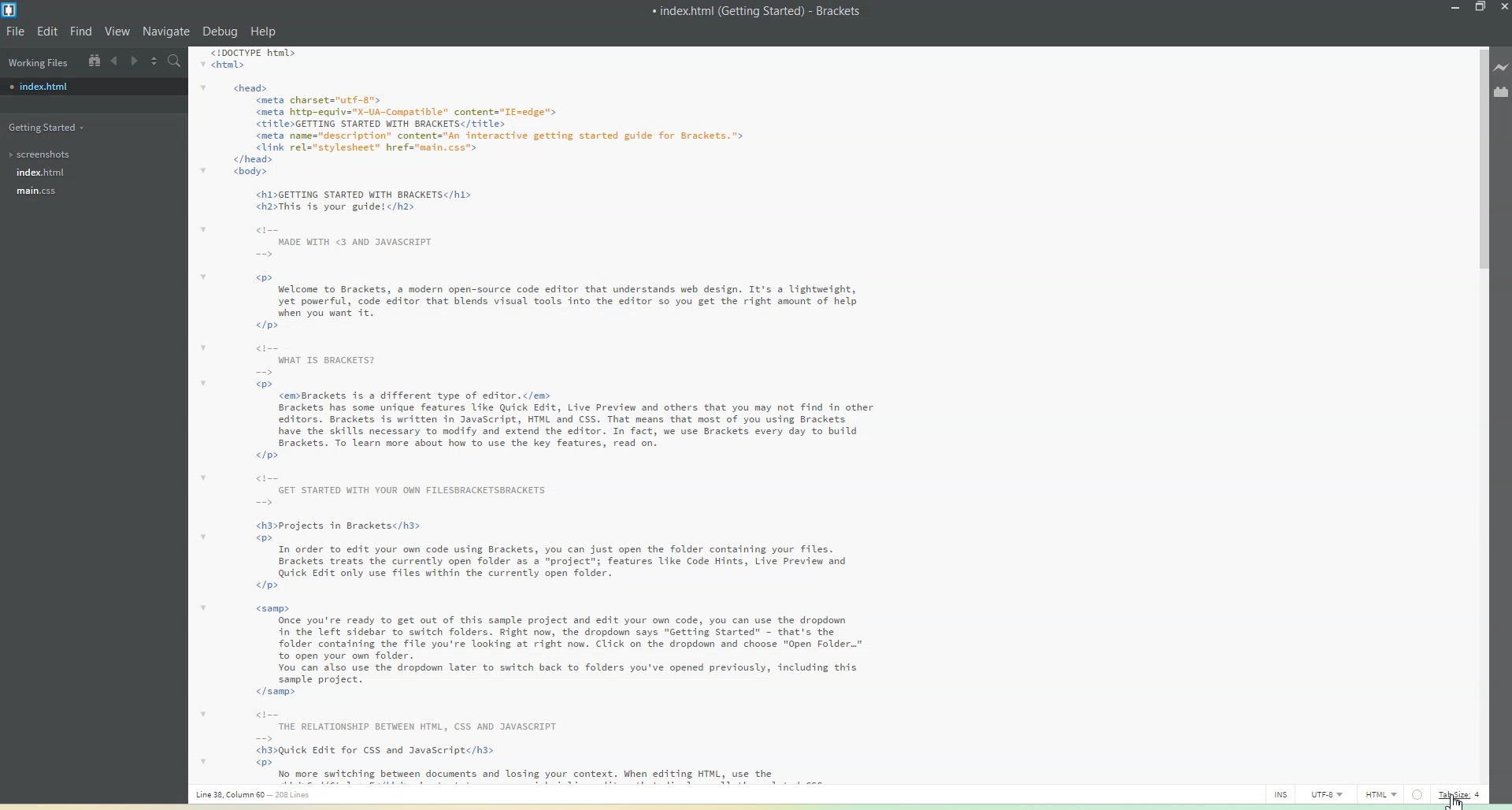  What do you see at coordinates (1379, 793) in the screenshot?
I see `HTML` at bounding box center [1379, 793].